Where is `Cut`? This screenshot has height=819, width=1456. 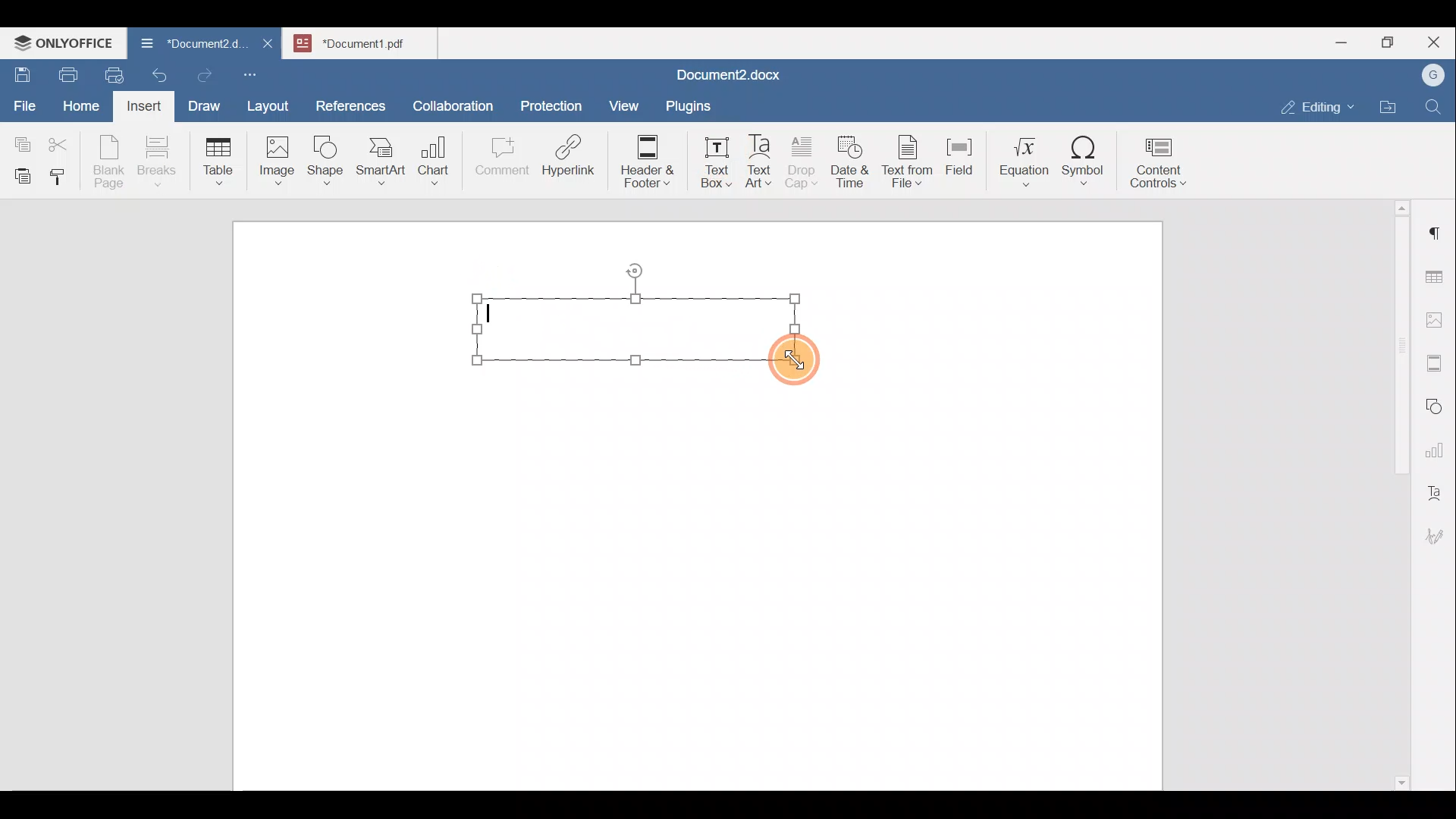
Cut is located at coordinates (64, 141).